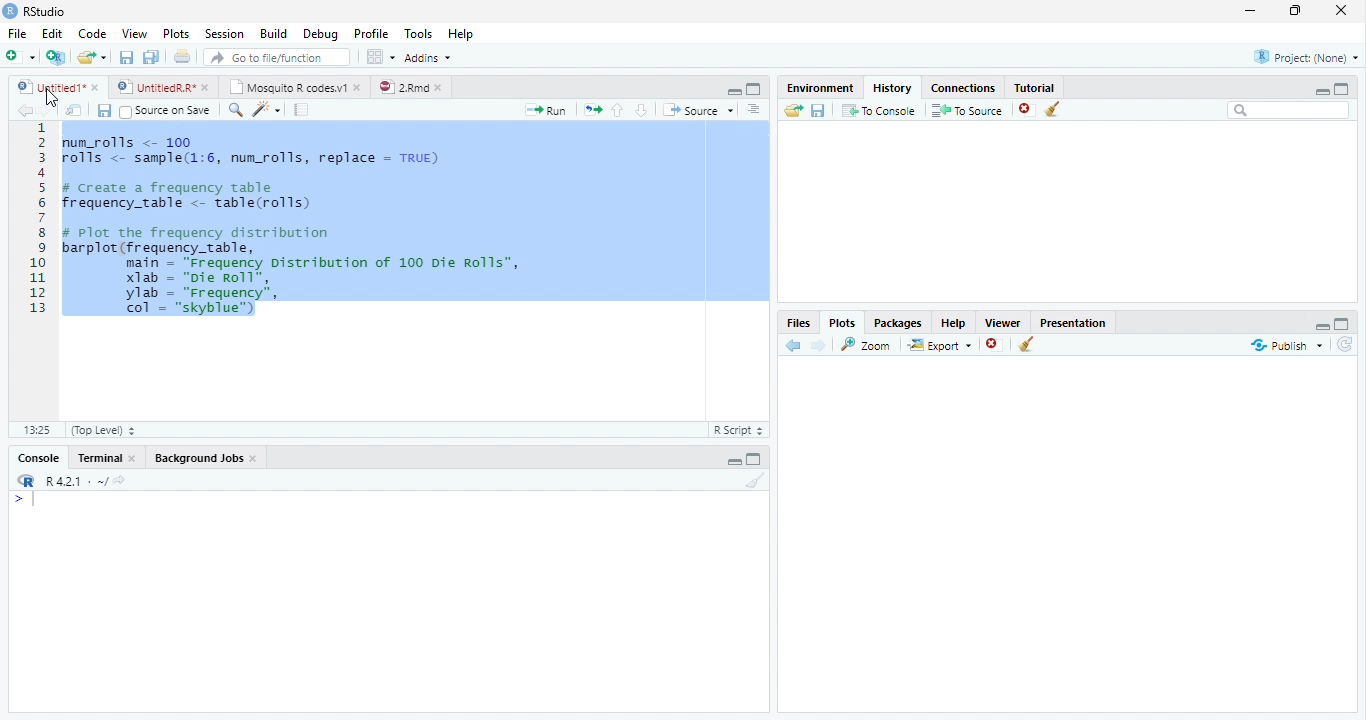  I want to click on Go to file/function, so click(275, 57).